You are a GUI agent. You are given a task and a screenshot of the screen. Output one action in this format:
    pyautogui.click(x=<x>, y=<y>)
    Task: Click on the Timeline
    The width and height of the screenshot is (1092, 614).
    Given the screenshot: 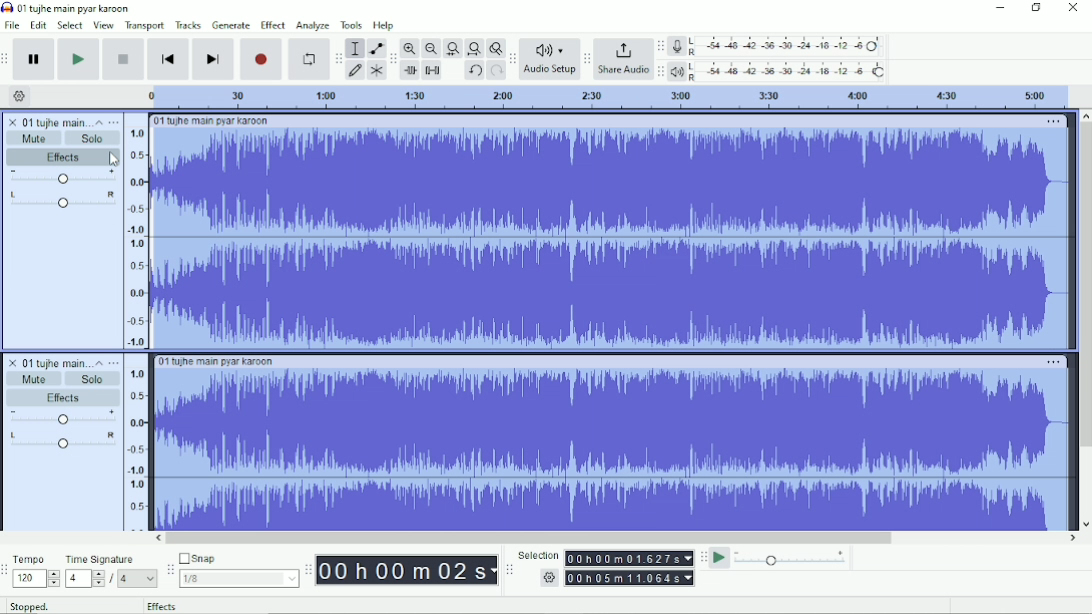 What is the action you would take?
    pyautogui.click(x=605, y=97)
    